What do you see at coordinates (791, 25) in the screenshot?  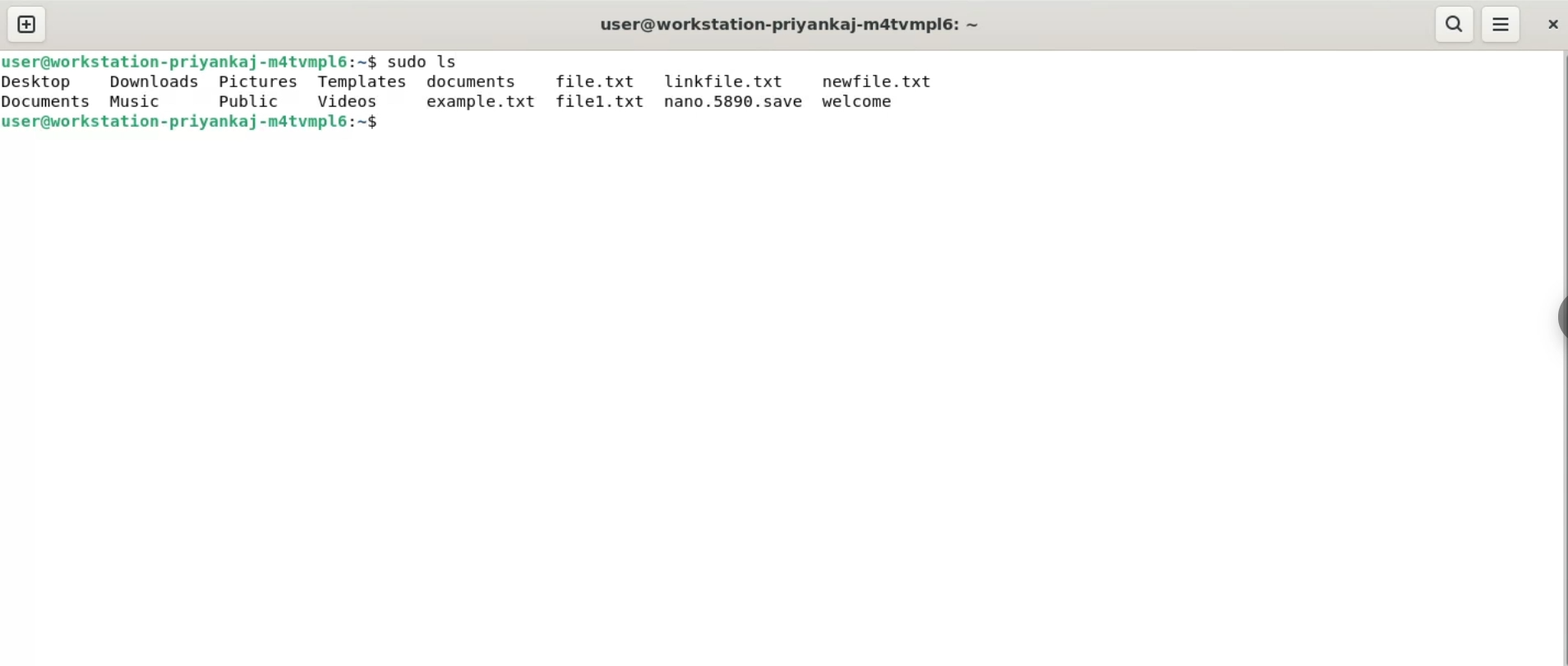 I see `title` at bounding box center [791, 25].